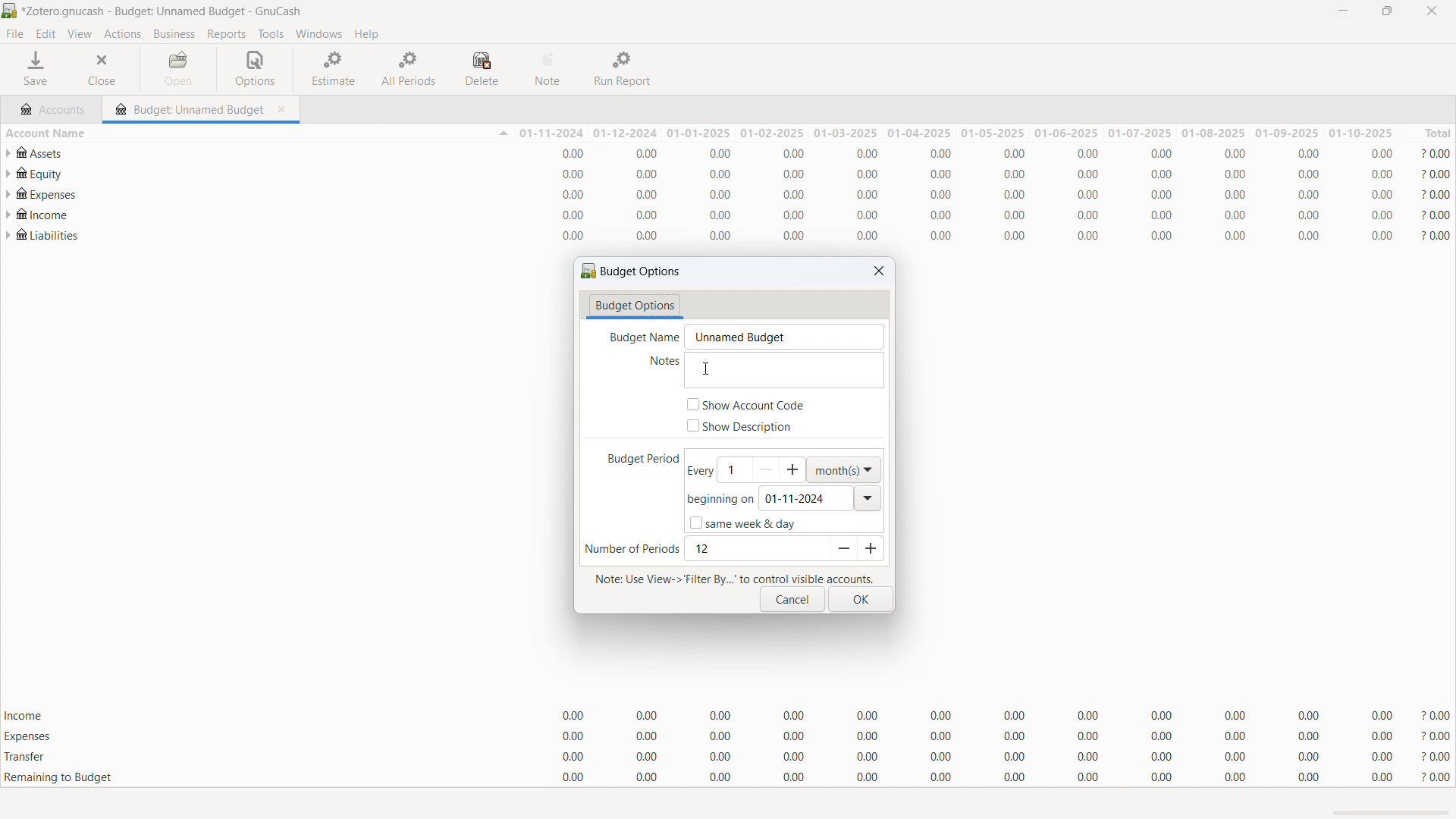  What do you see at coordinates (624, 69) in the screenshot?
I see `run report` at bounding box center [624, 69].